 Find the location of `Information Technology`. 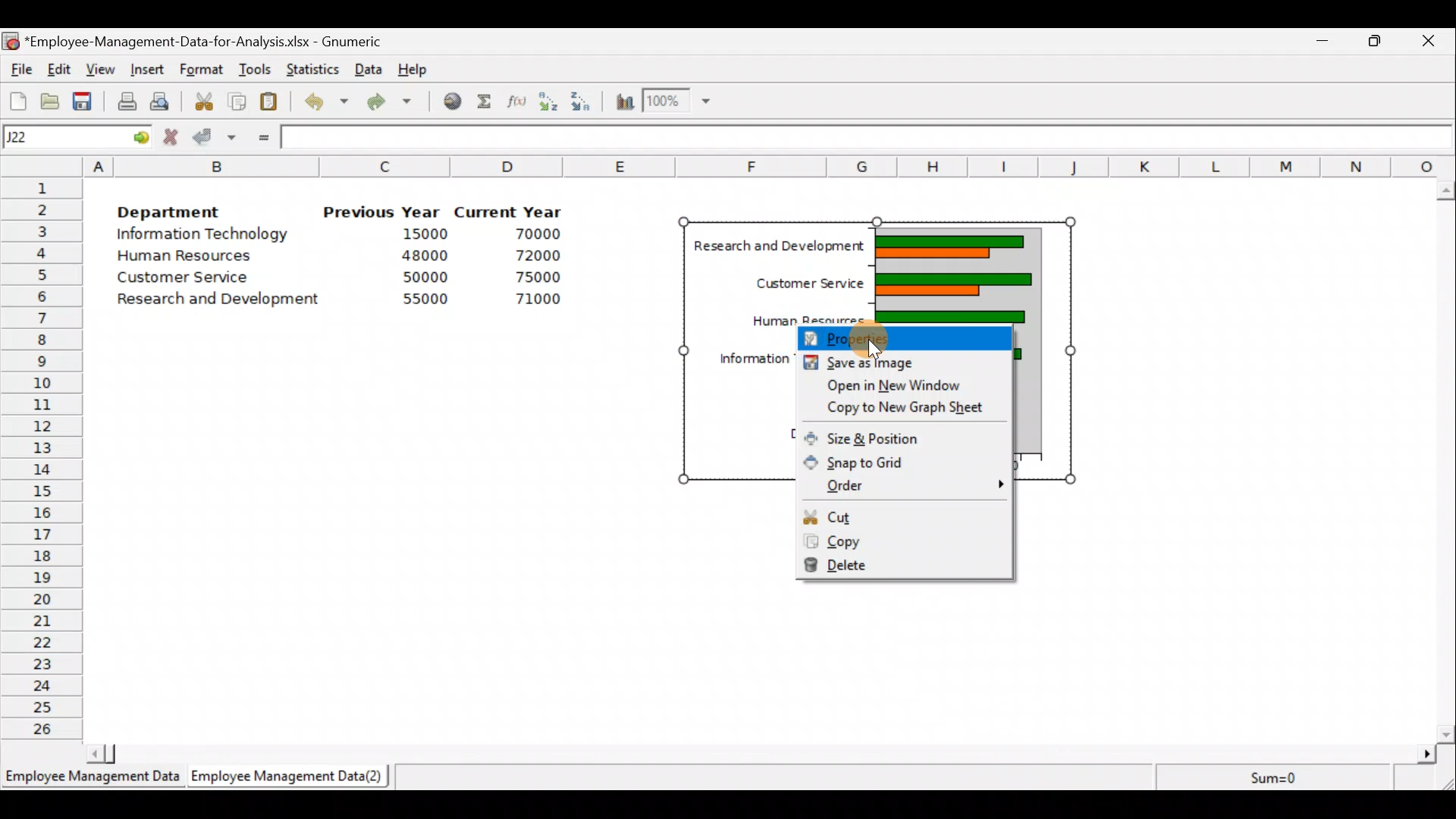

Information Technology is located at coordinates (203, 237).